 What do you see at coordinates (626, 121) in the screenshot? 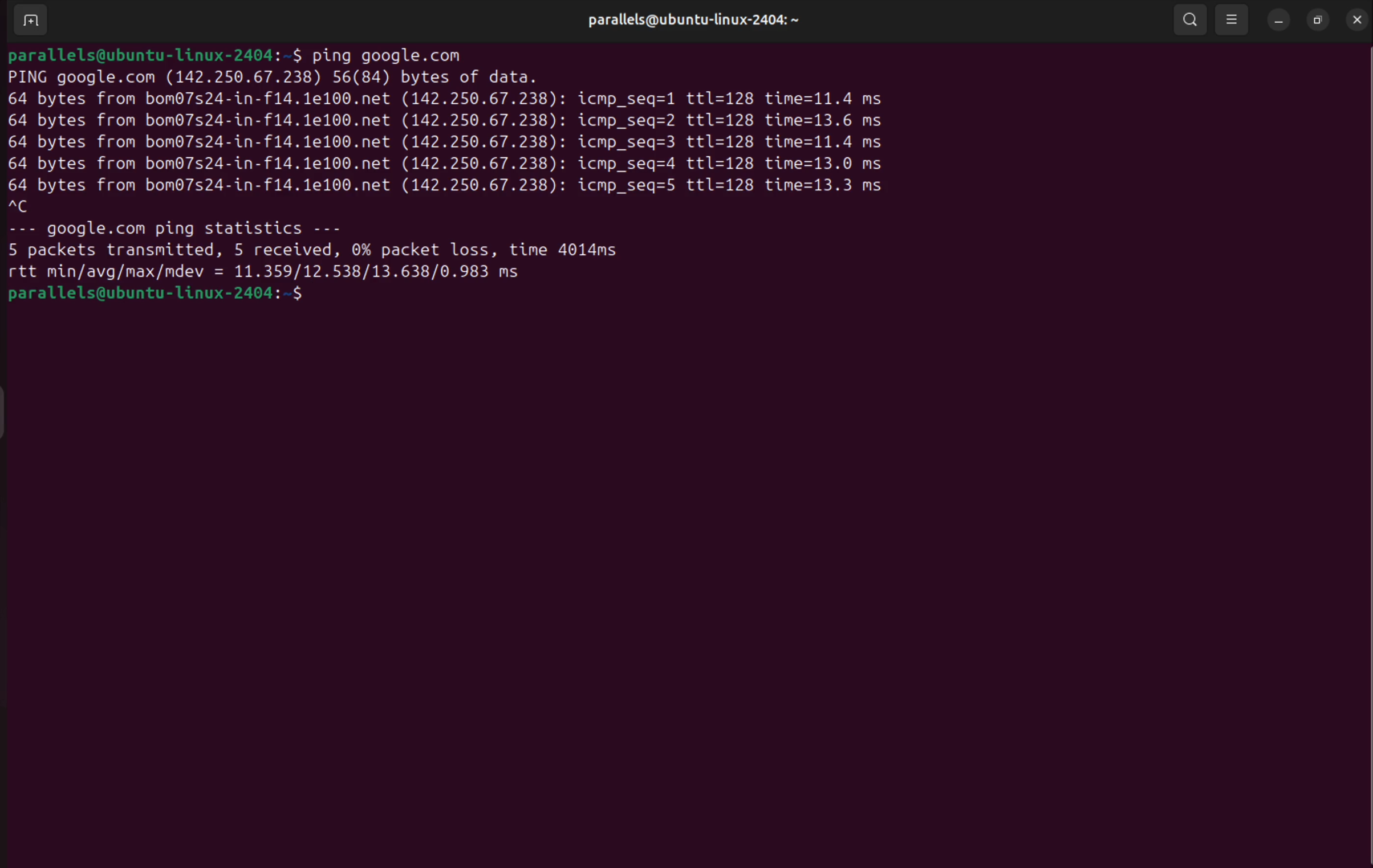
I see `icmp seq 2` at bounding box center [626, 121].